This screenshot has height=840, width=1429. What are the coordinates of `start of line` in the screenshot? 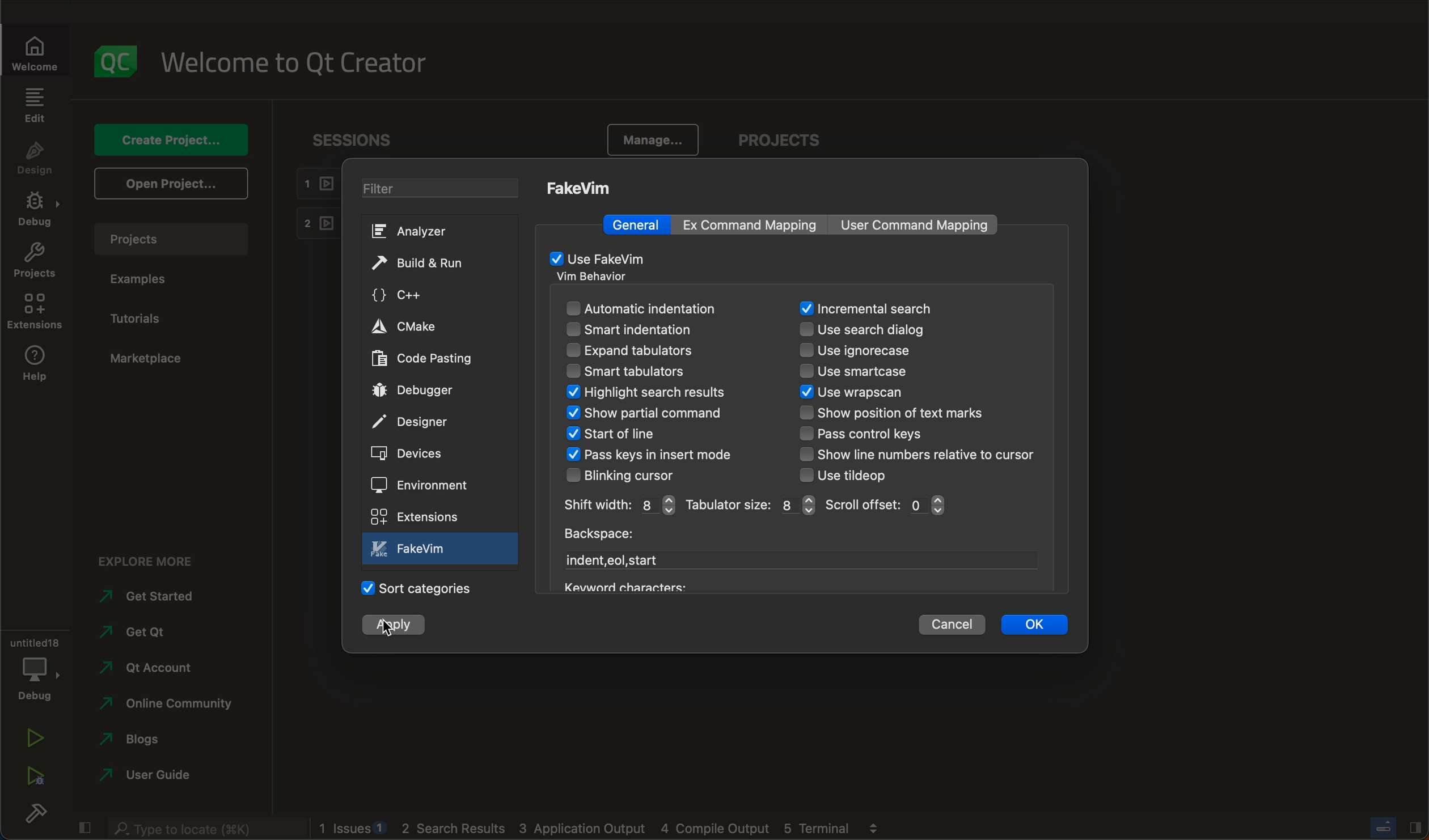 It's located at (618, 434).